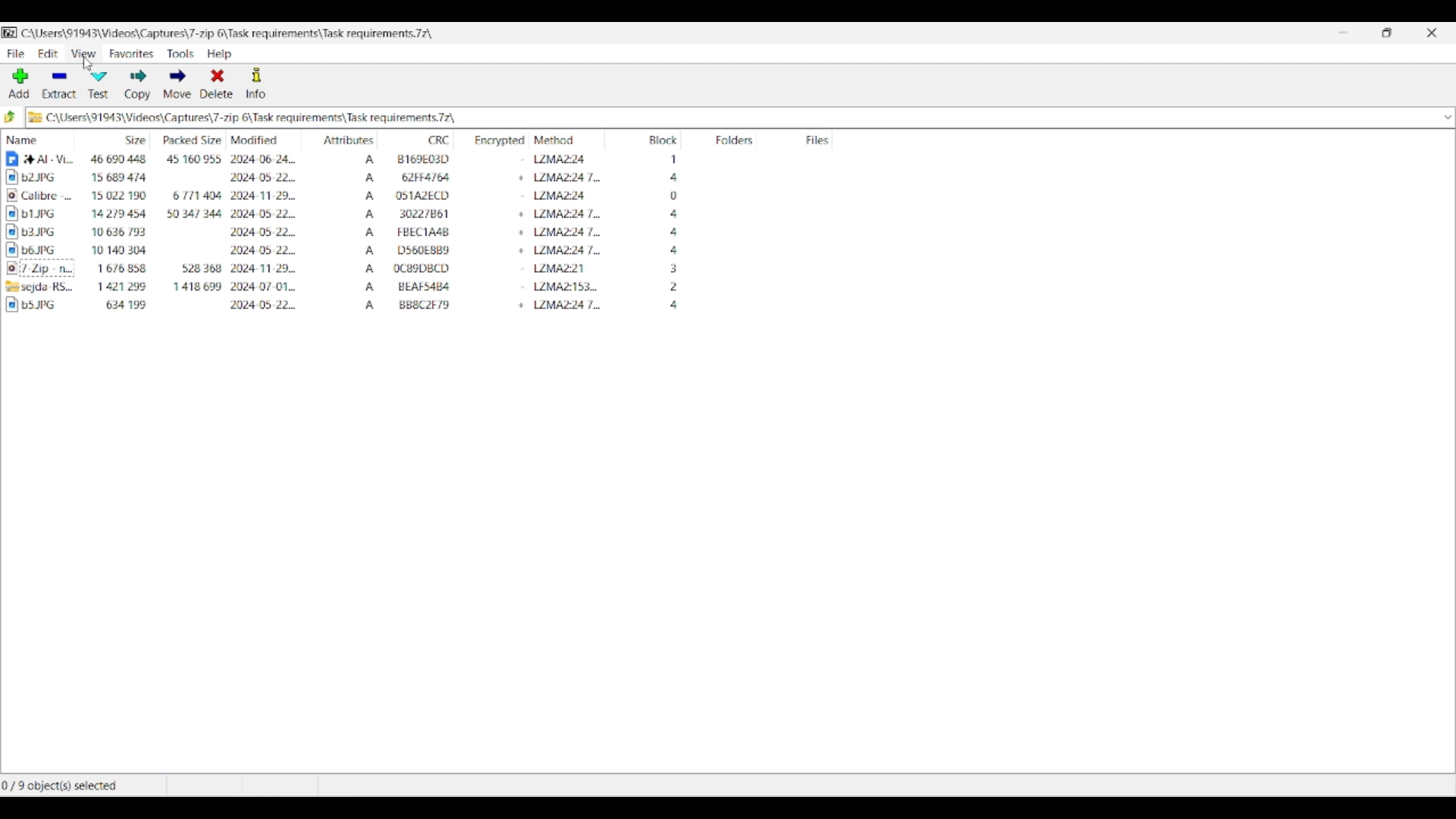 Image resolution: width=1456 pixels, height=819 pixels. I want to click on Folder location, so click(227, 33).